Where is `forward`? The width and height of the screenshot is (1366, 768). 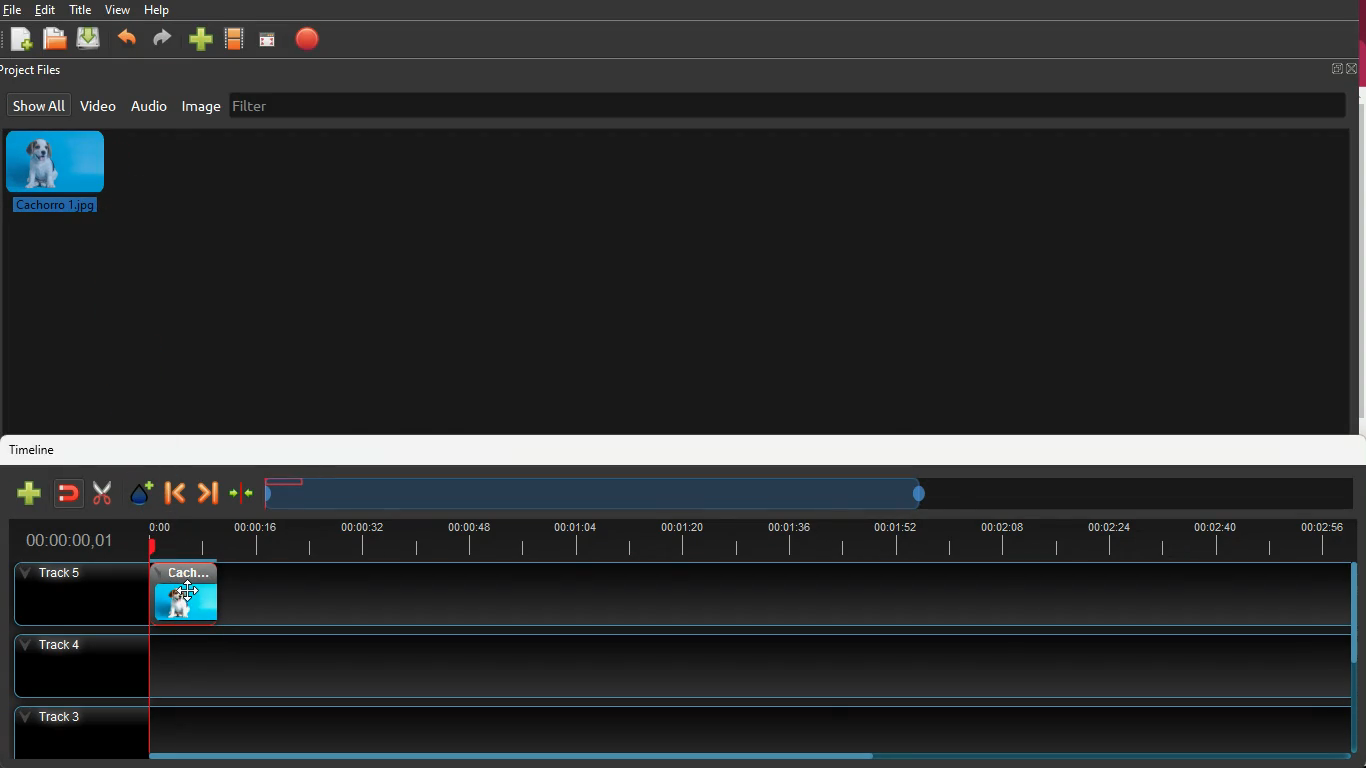 forward is located at coordinates (161, 39).